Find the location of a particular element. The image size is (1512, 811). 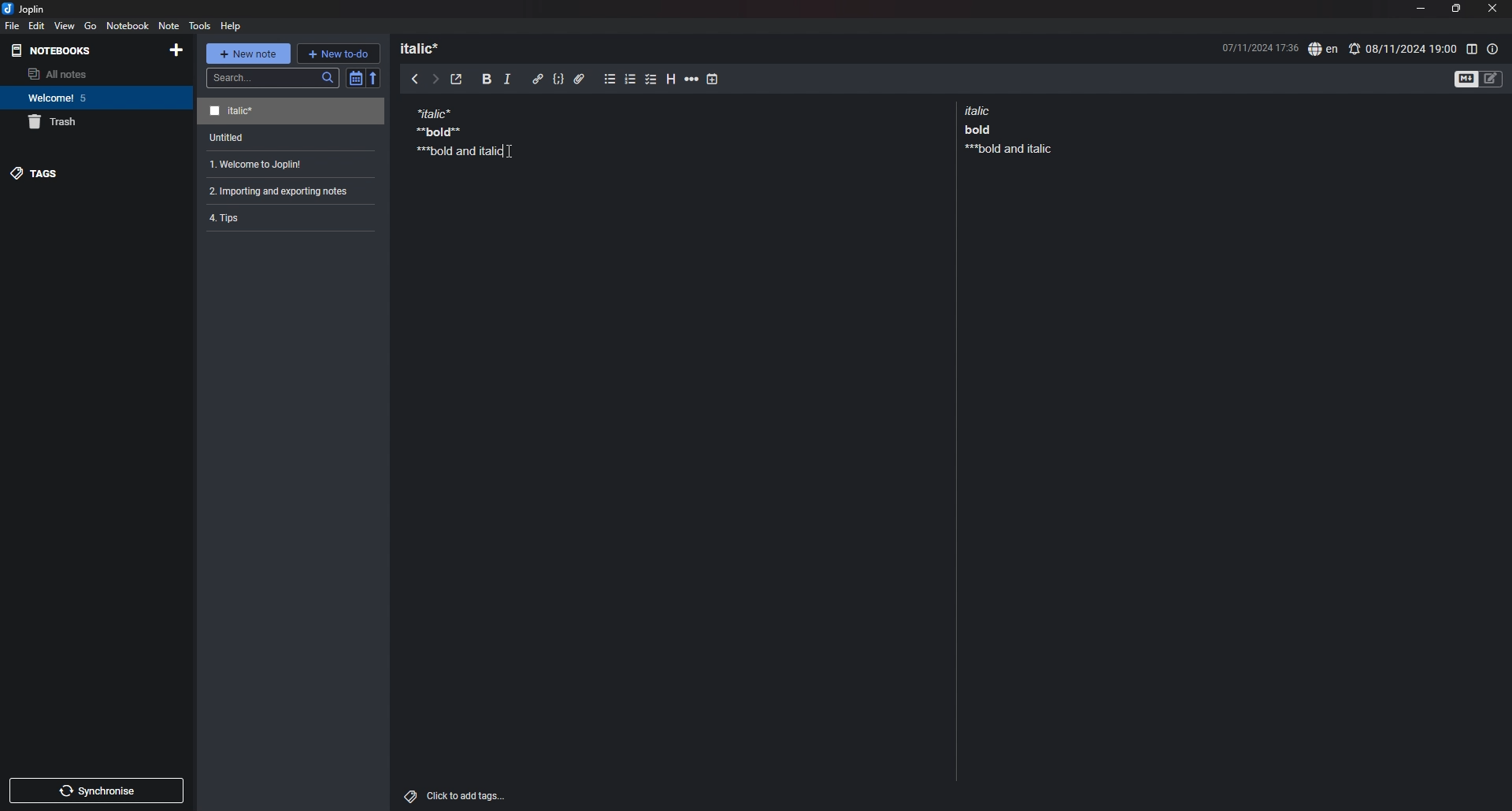

notebook is located at coordinates (94, 98).